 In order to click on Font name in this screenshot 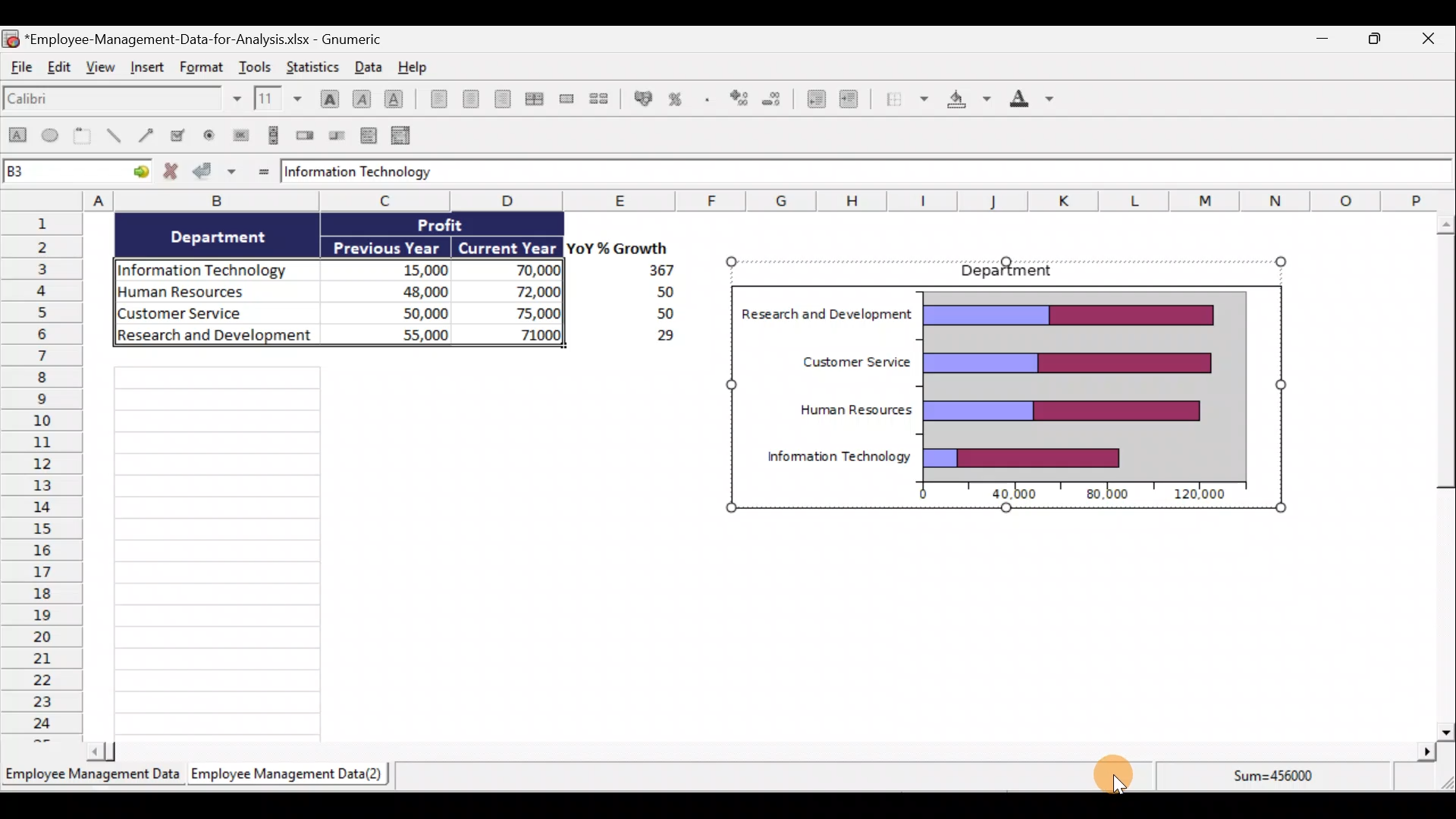, I will do `click(124, 100)`.